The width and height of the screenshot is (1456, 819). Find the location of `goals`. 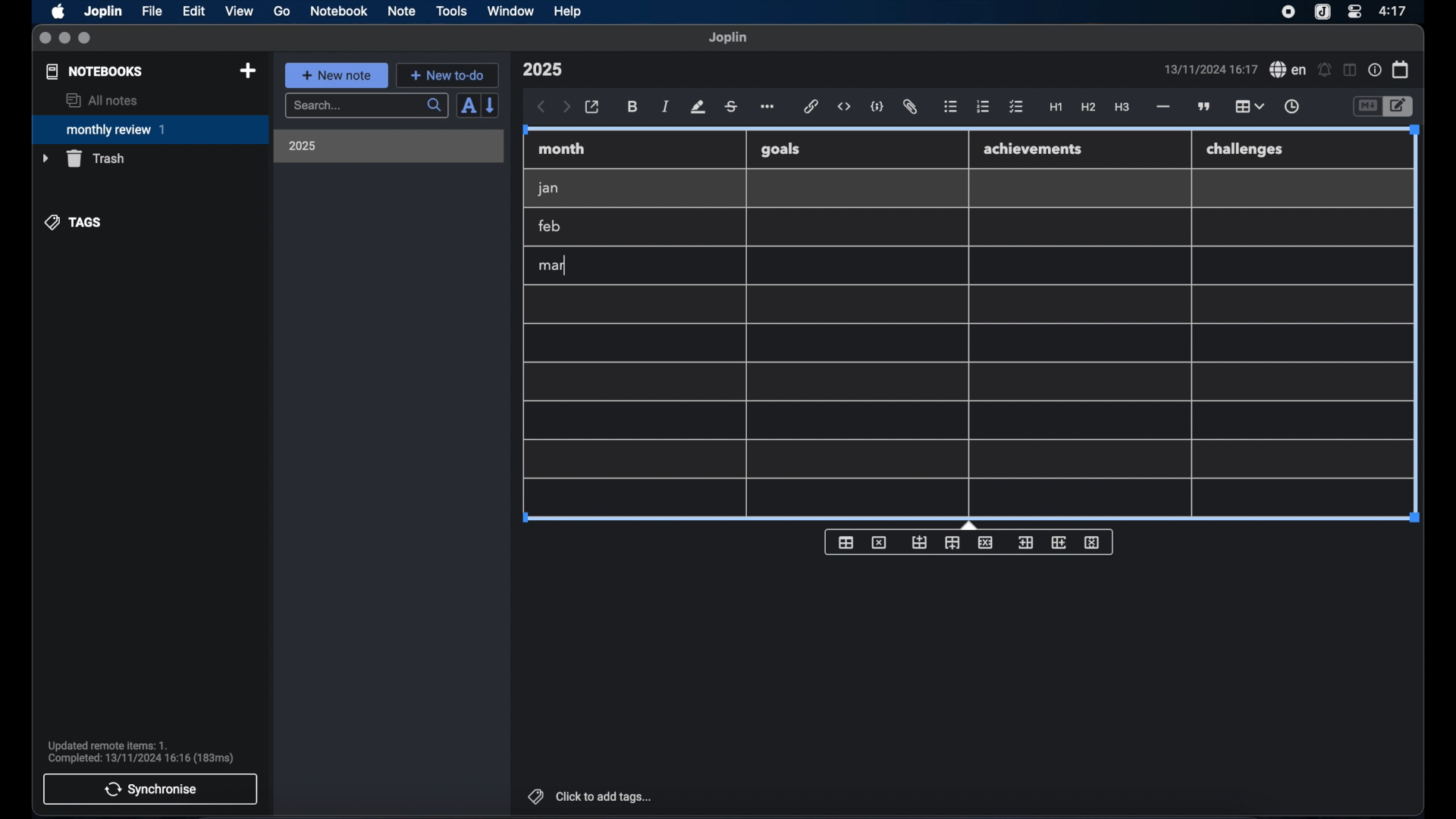

goals is located at coordinates (780, 149).